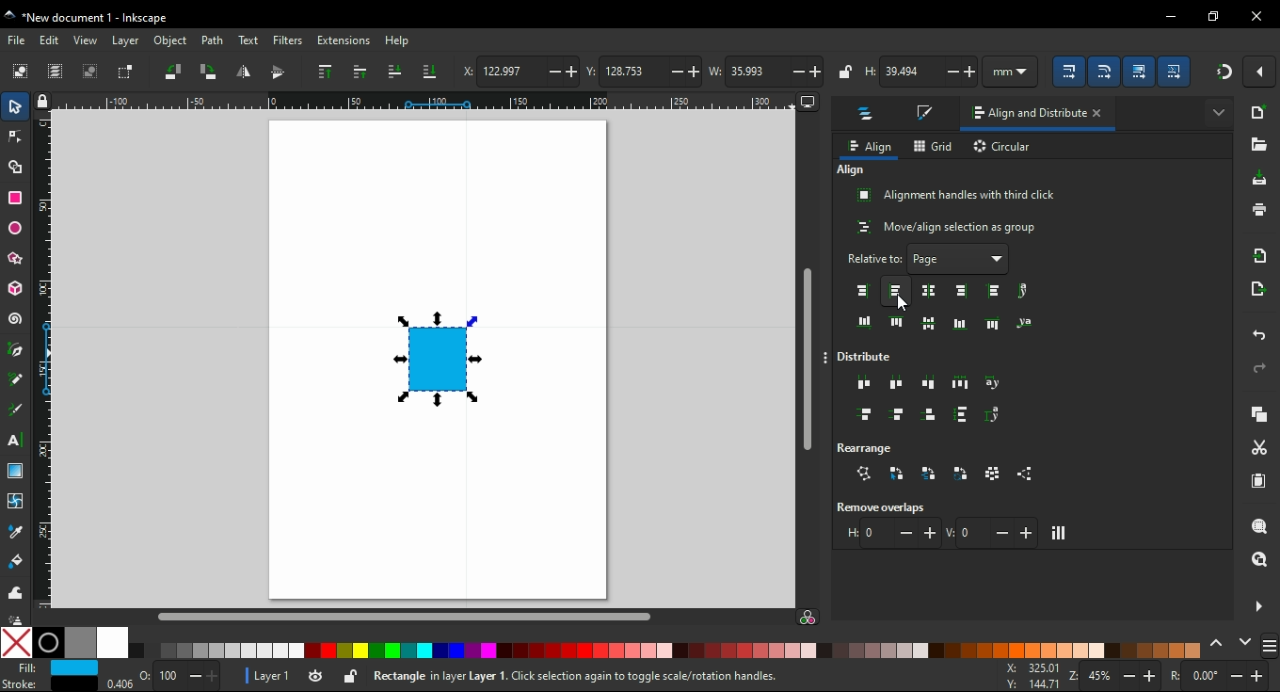 This screenshot has height=692, width=1280. What do you see at coordinates (242, 72) in the screenshot?
I see `flip horizontal` at bounding box center [242, 72].